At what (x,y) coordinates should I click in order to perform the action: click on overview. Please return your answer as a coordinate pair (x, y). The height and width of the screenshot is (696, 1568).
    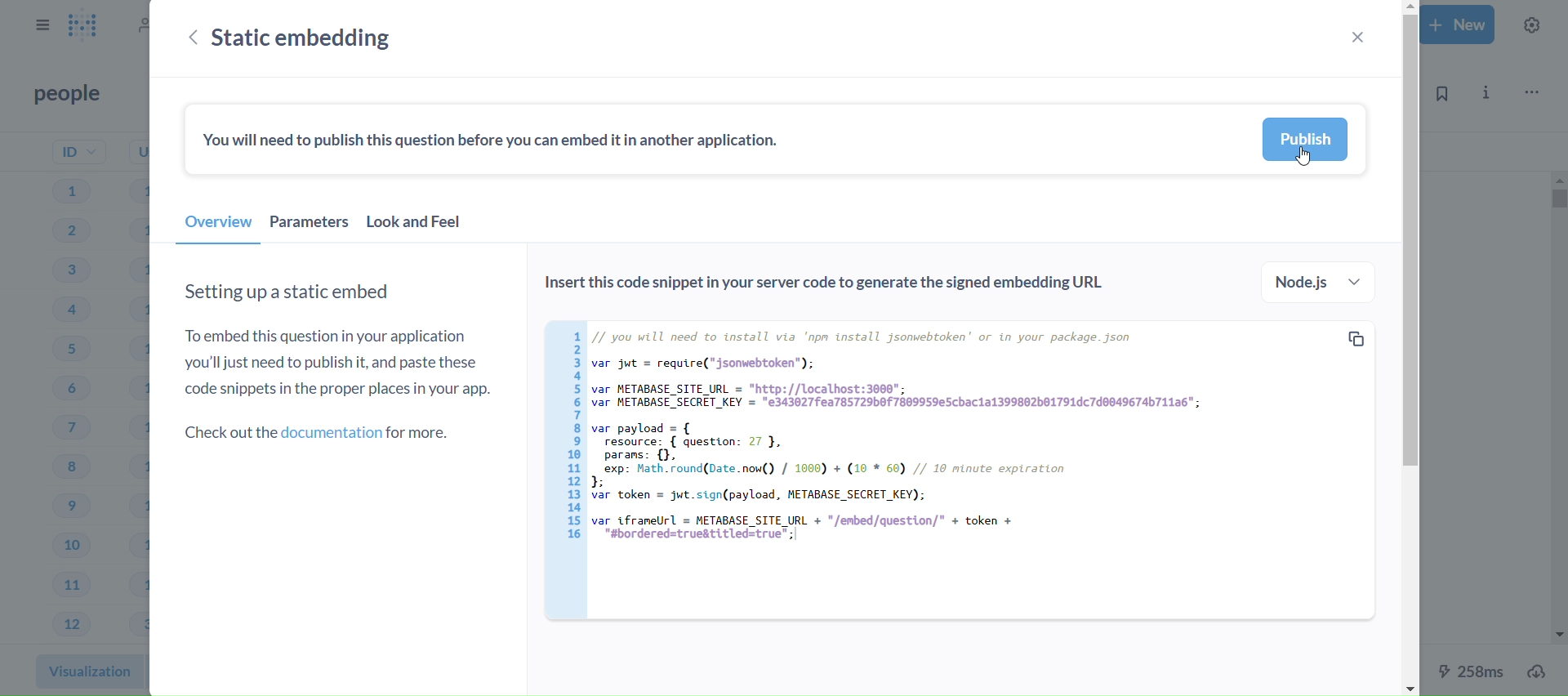
    Looking at the image, I should click on (217, 227).